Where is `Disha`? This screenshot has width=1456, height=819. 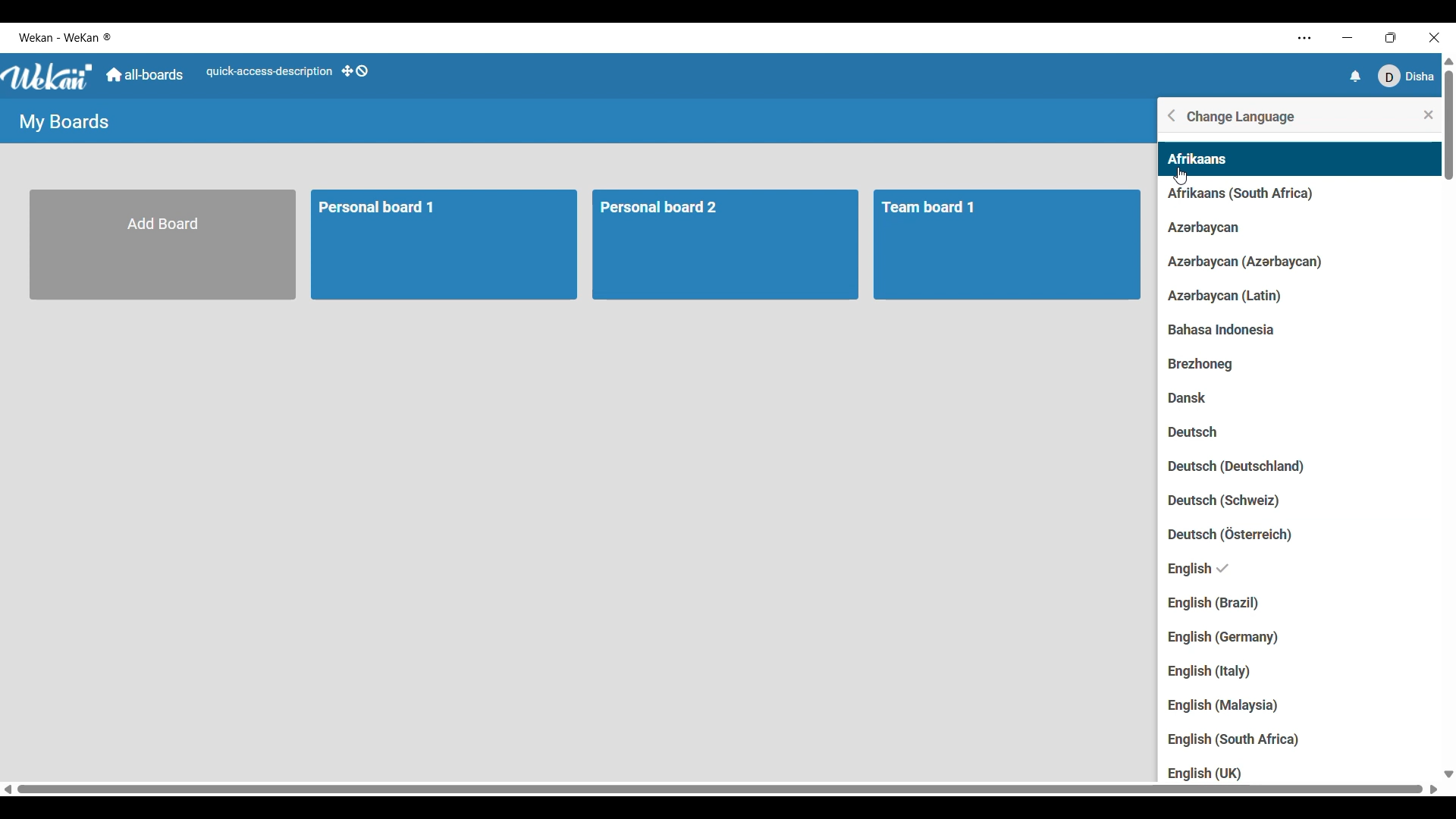 Disha is located at coordinates (1407, 76).